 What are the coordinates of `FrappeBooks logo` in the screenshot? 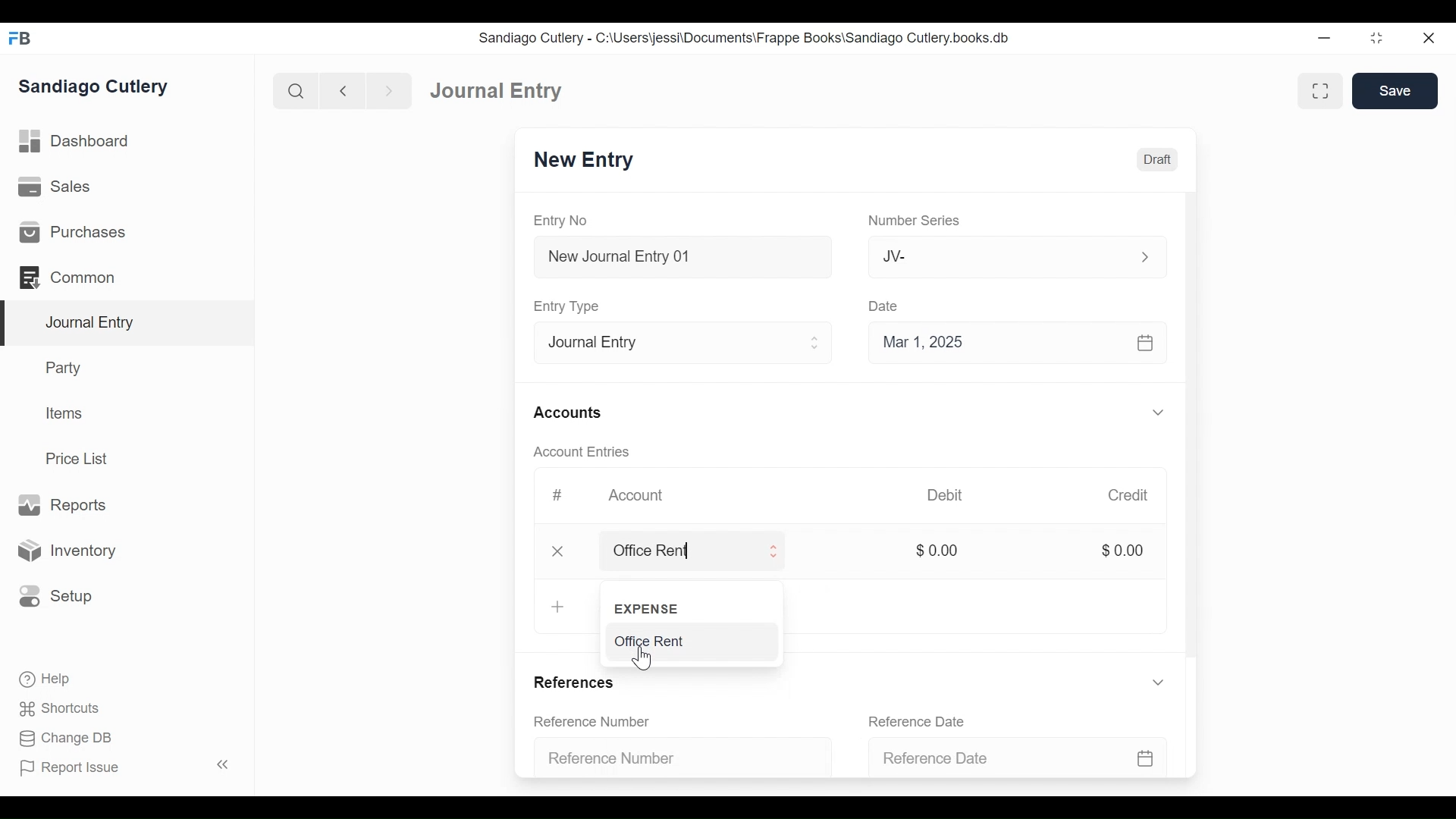 It's located at (19, 38).